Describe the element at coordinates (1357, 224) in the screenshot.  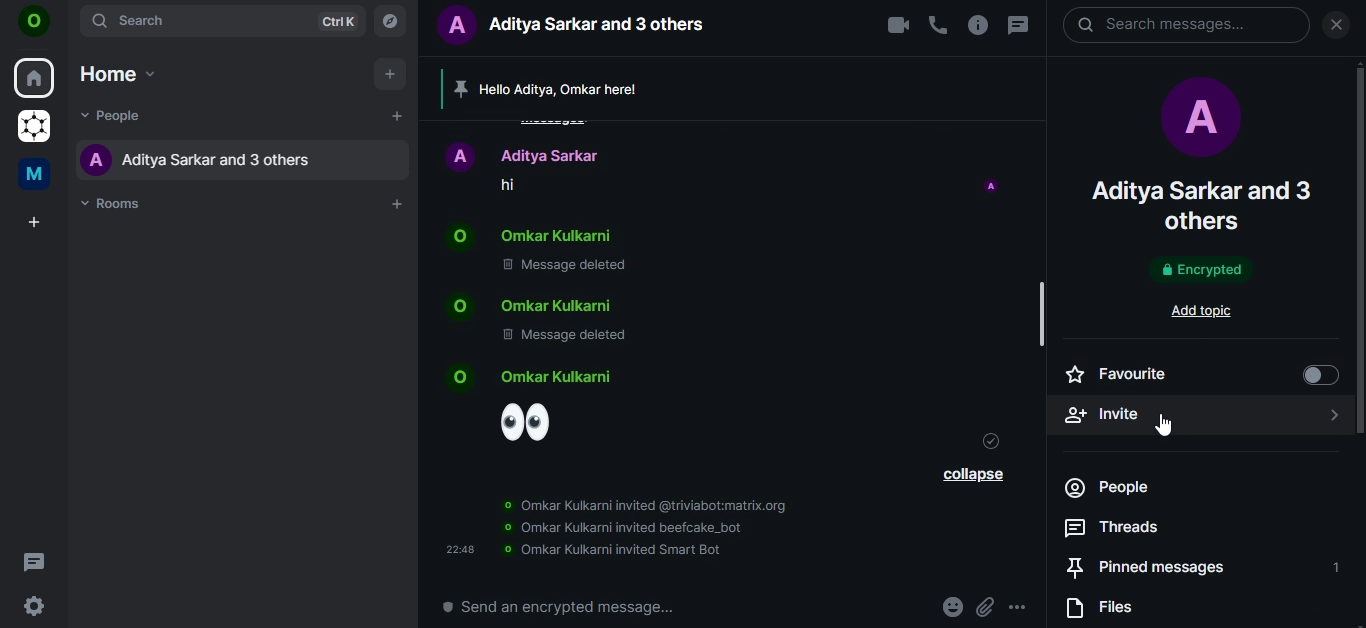
I see `scrollbar` at that location.